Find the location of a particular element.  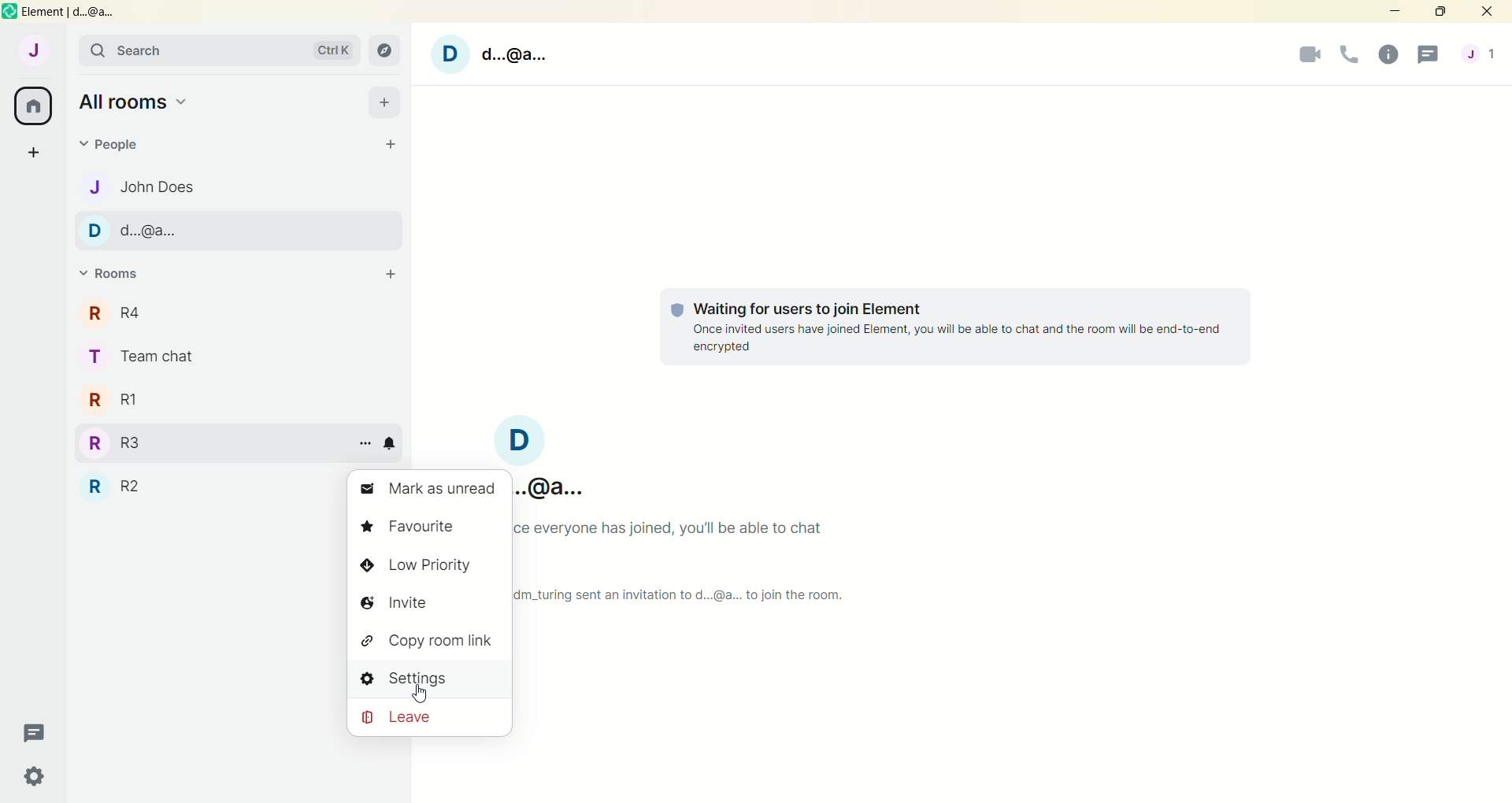

element is located at coordinates (74, 13).